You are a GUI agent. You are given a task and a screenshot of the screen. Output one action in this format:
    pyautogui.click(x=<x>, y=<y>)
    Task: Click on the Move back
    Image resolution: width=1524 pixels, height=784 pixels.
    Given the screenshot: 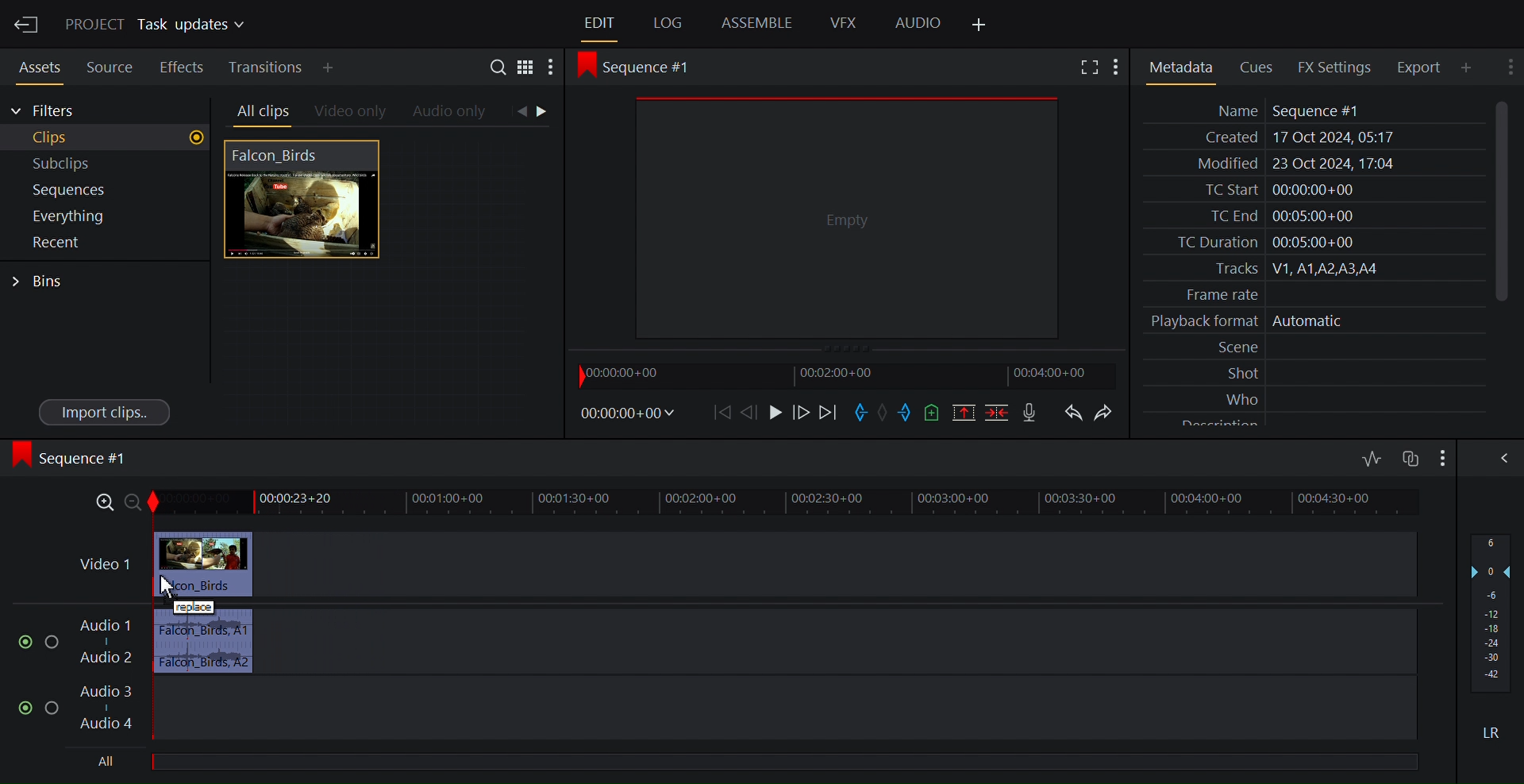 What is the action you would take?
    pyautogui.click(x=725, y=413)
    